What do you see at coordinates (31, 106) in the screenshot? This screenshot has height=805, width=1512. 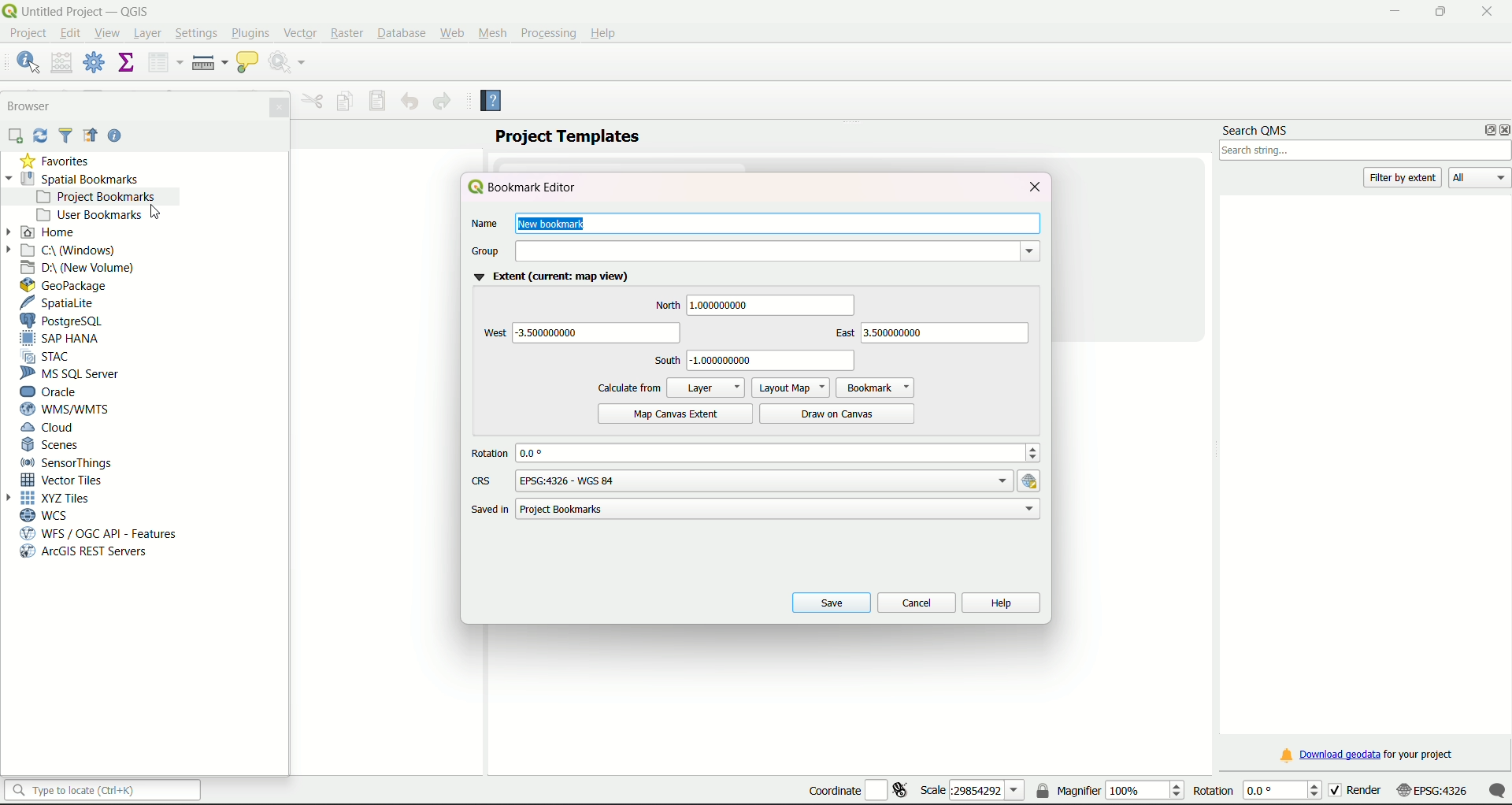 I see `Browser` at bounding box center [31, 106].